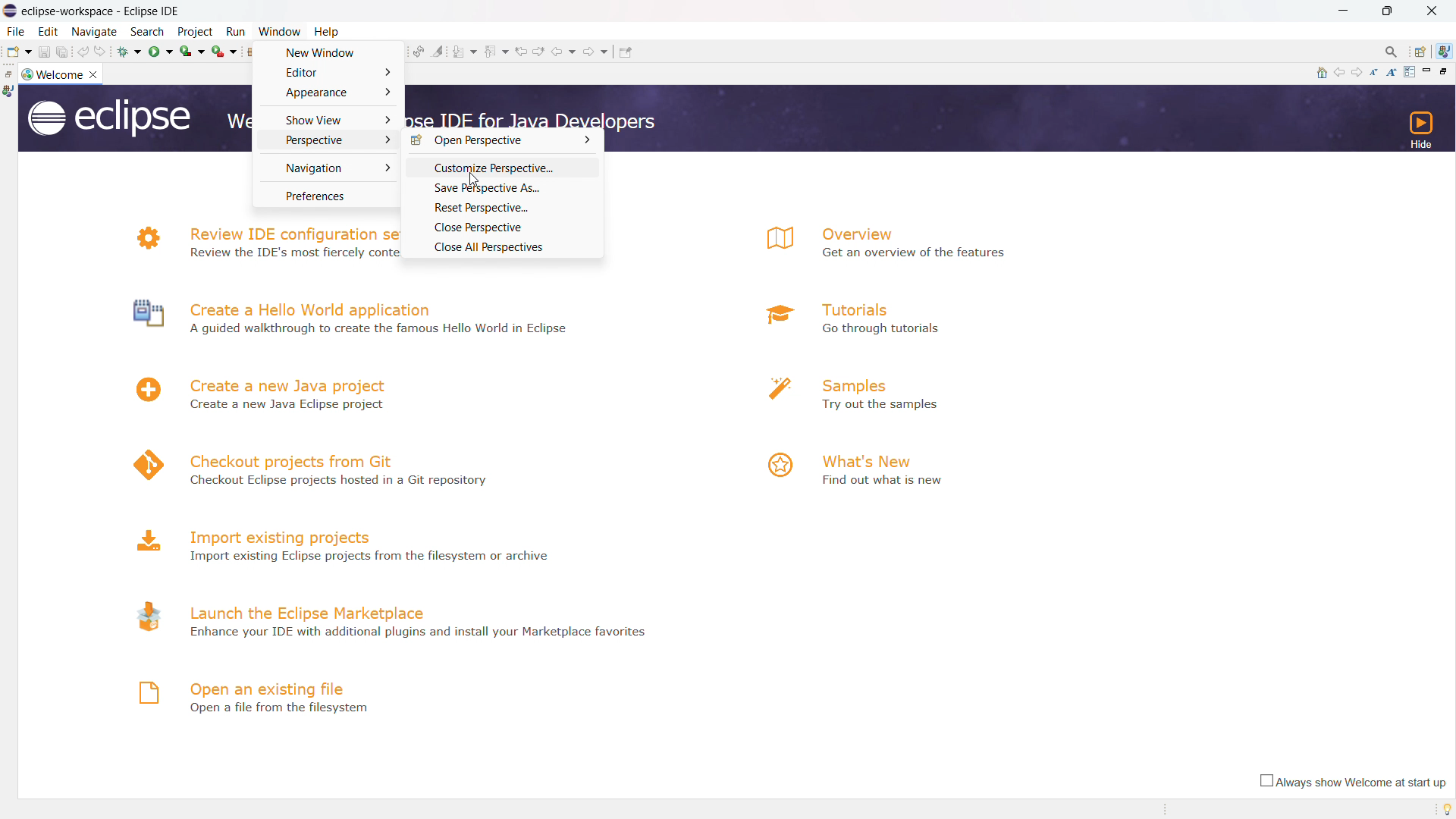  Describe the element at coordinates (83, 52) in the screenshot. I see `undo` at that location.